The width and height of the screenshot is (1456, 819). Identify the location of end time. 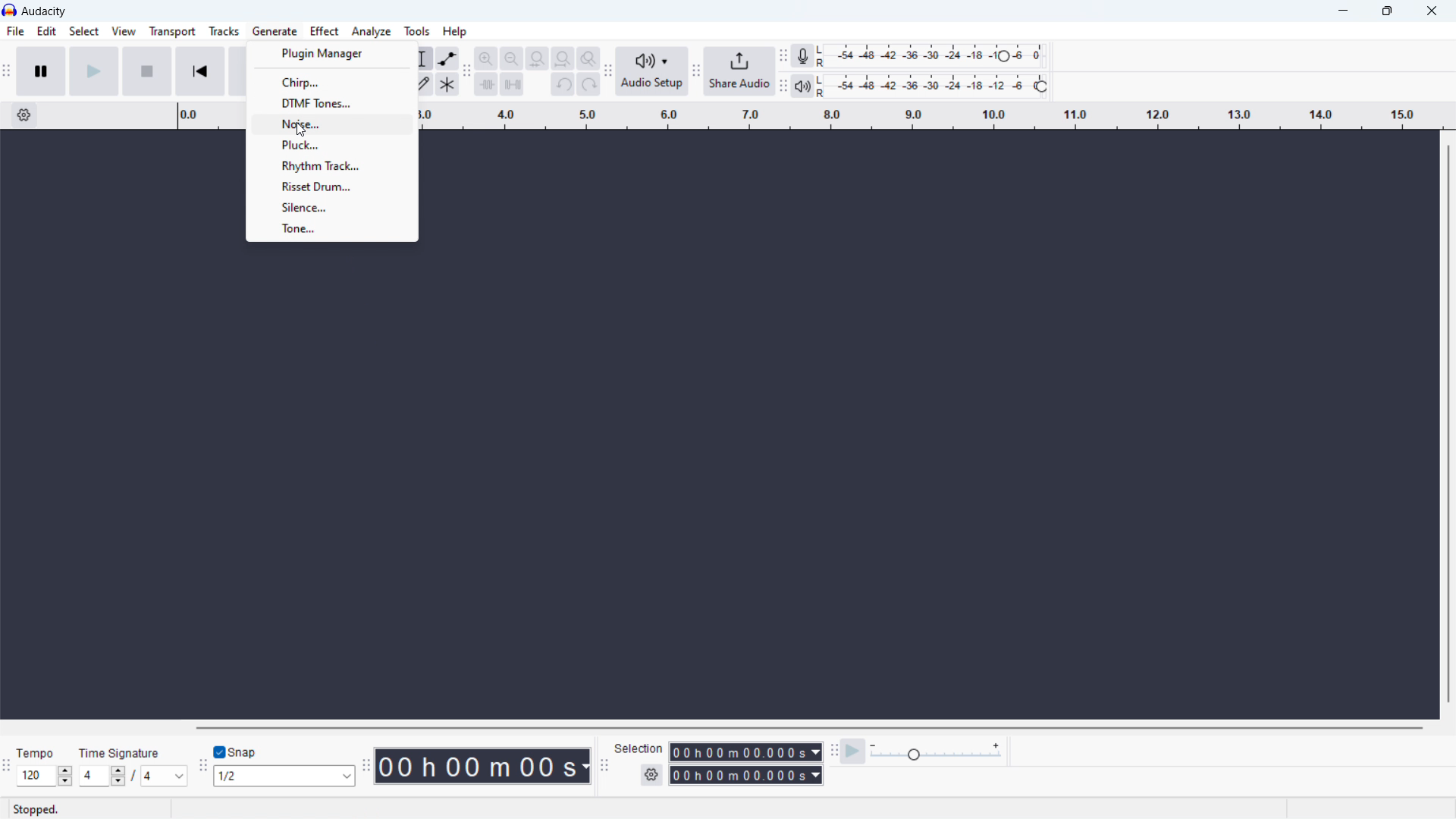
(747, 776).